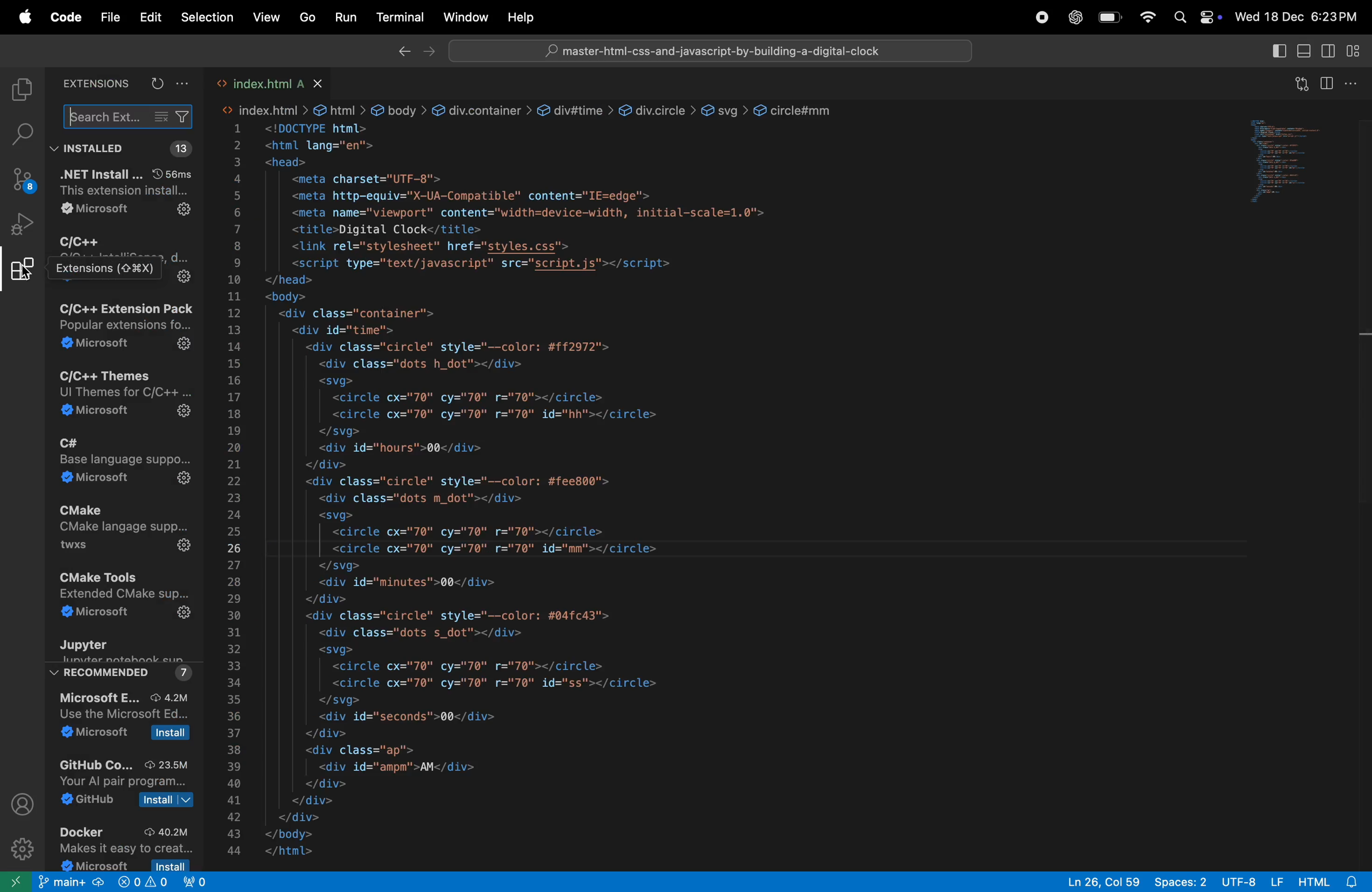  Describe the element at coordinates (342, 17) in the screenshot. I see `run` at that location.